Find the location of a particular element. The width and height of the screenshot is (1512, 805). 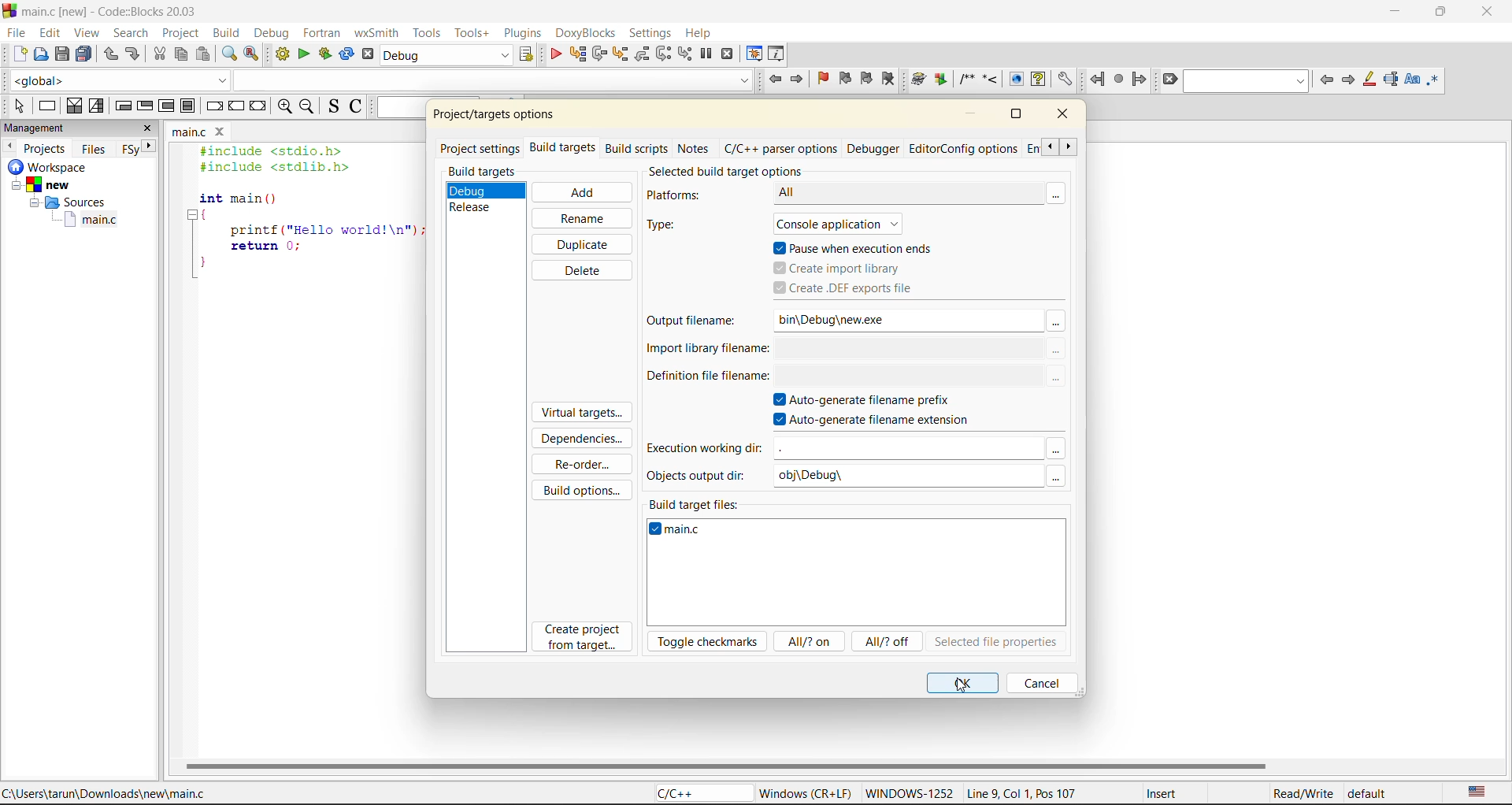

copy is located at coordinates (182, 54).